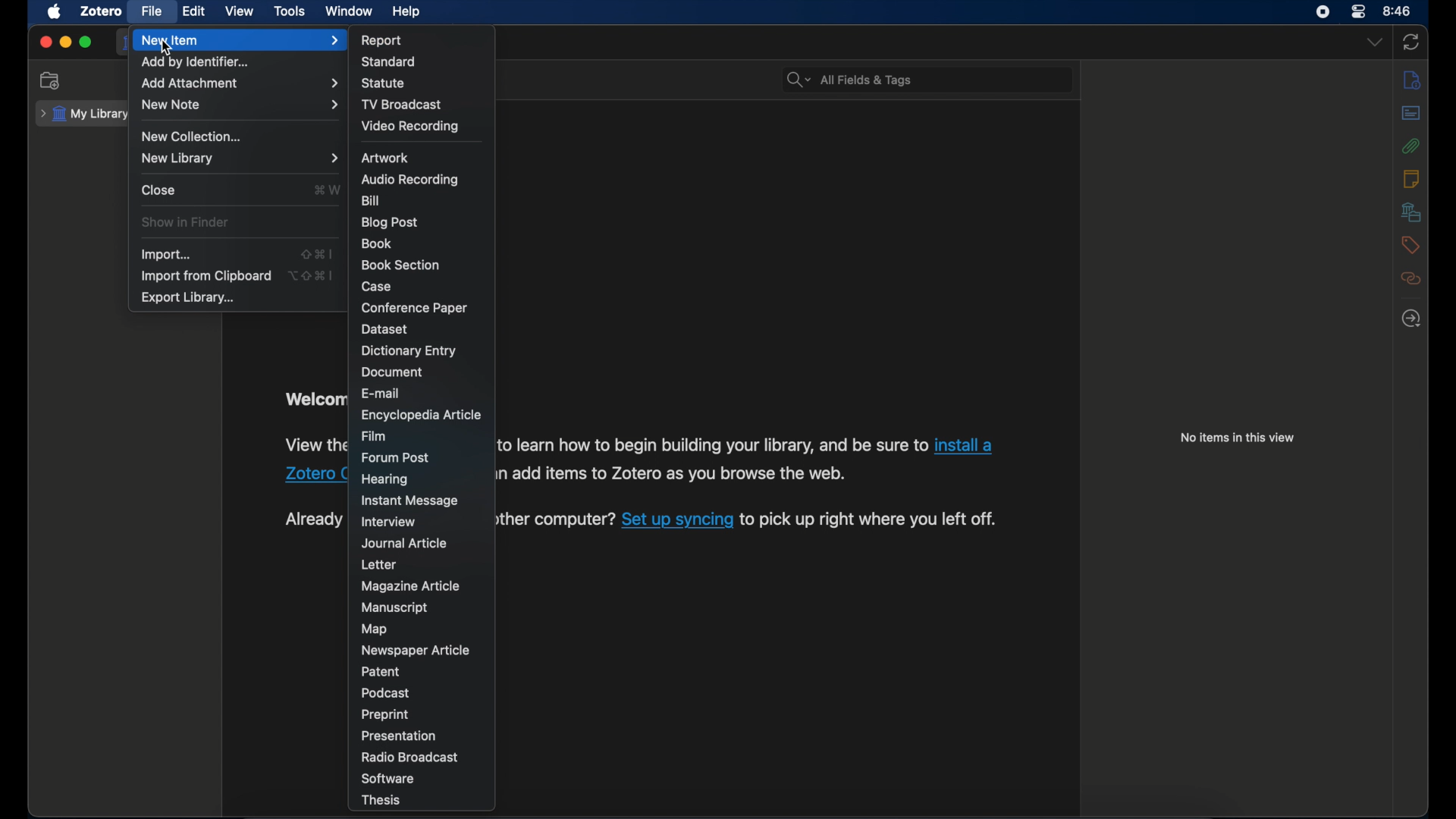 This screenshot has width=1456, height=819. What do you see at coordinates (796, 80) in the screenshot?
I see `search dropdown` at bounding box center [796, 80].